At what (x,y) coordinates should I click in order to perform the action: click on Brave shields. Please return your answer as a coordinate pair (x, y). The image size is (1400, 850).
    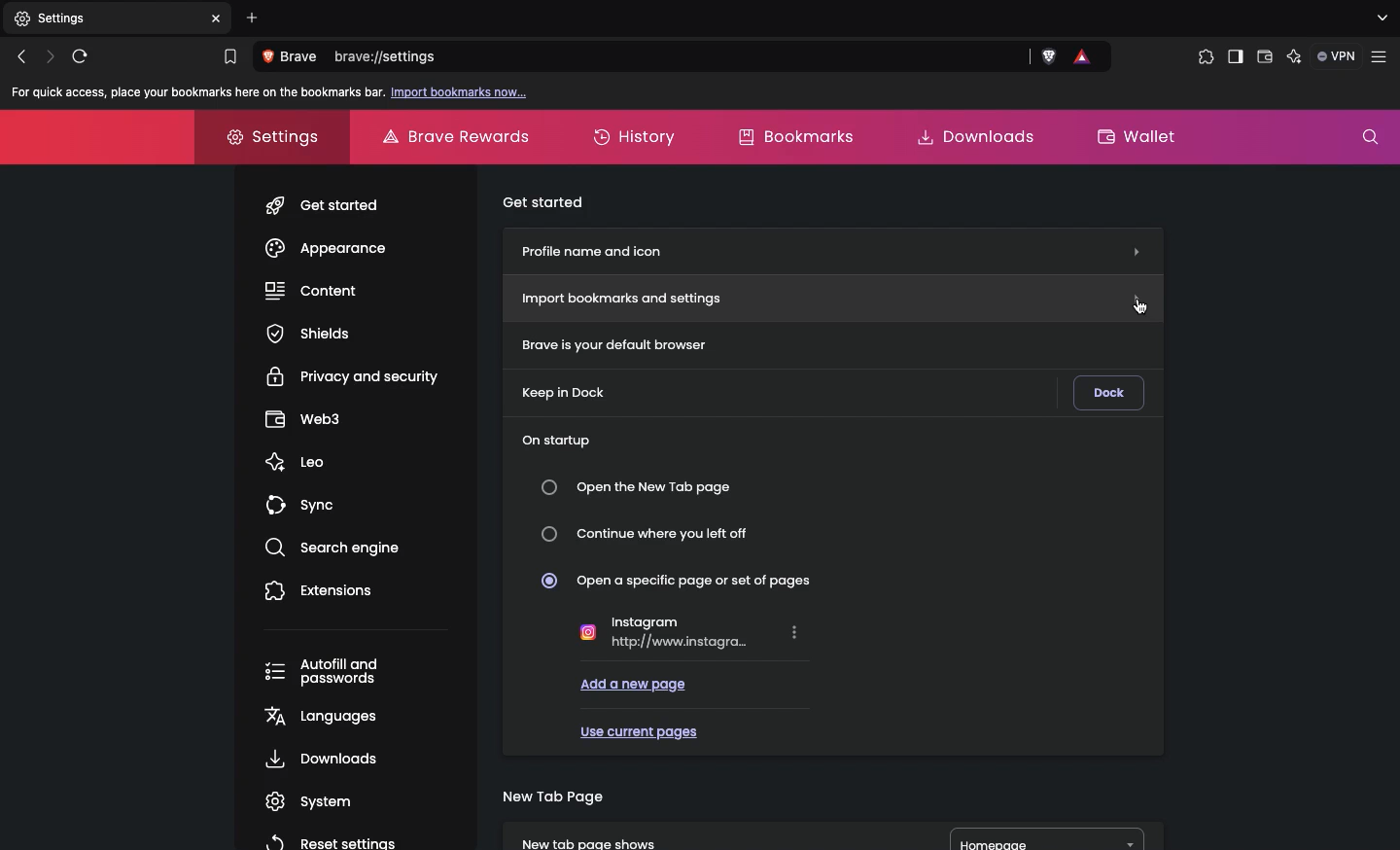
    Looking at the image, I should click on (1050, 57).